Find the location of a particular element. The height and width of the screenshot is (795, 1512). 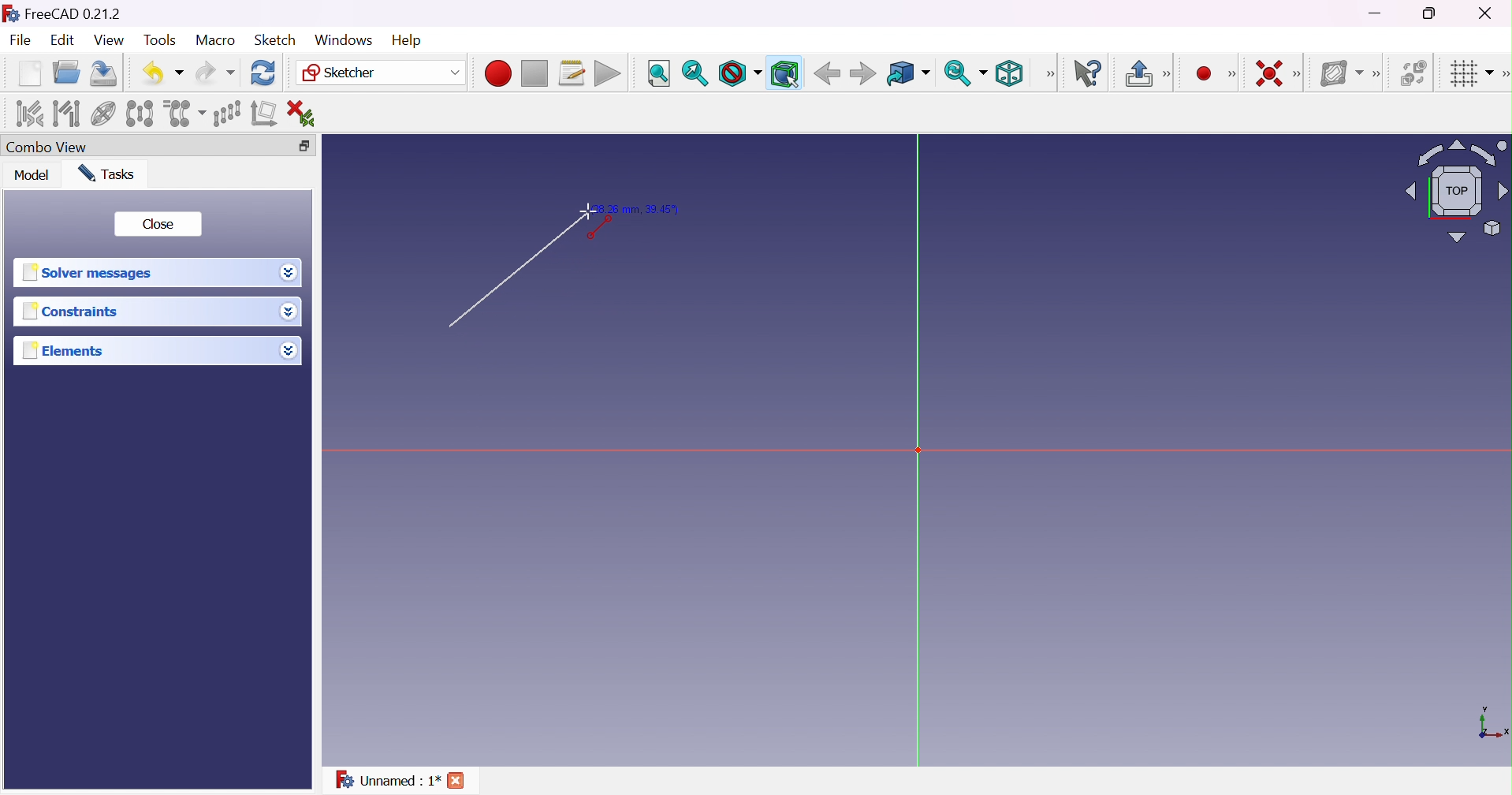

Macros recording is located at coordinates (497, 73).